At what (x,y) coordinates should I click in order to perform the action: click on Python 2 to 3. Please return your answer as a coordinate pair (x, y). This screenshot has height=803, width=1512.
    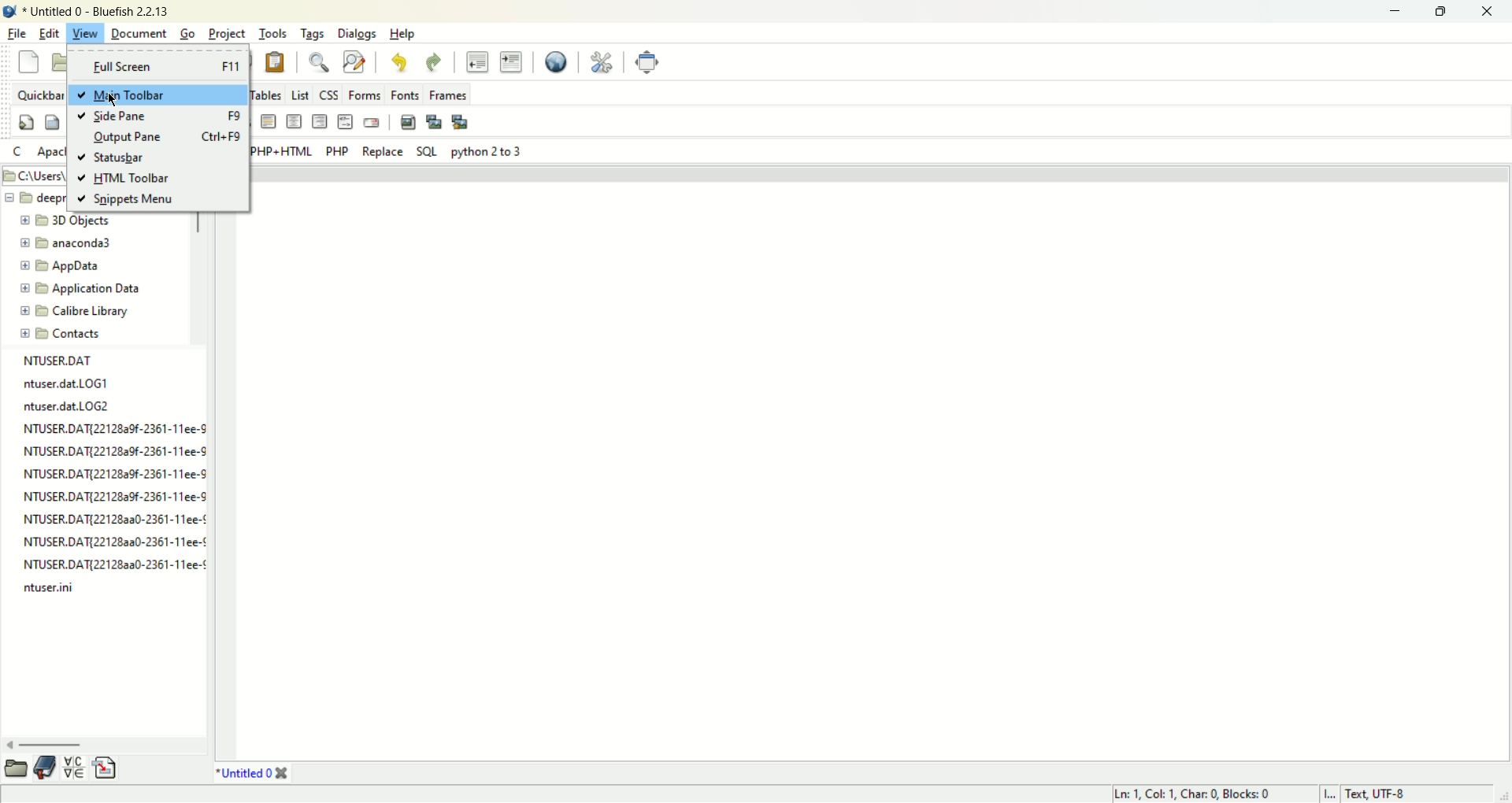
    Looking at the image, I should click on (485, 153).